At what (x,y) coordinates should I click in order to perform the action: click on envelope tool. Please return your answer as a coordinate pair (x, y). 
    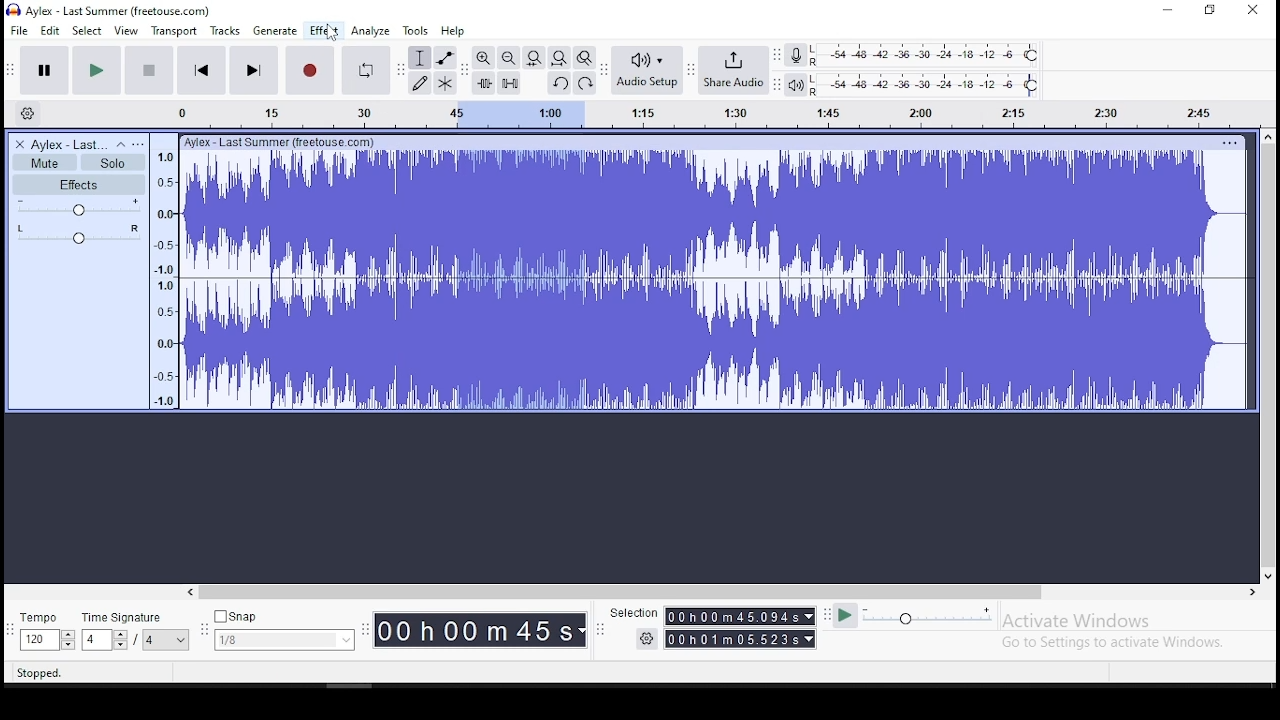
    Looking at the image, I should click on (445, 58).